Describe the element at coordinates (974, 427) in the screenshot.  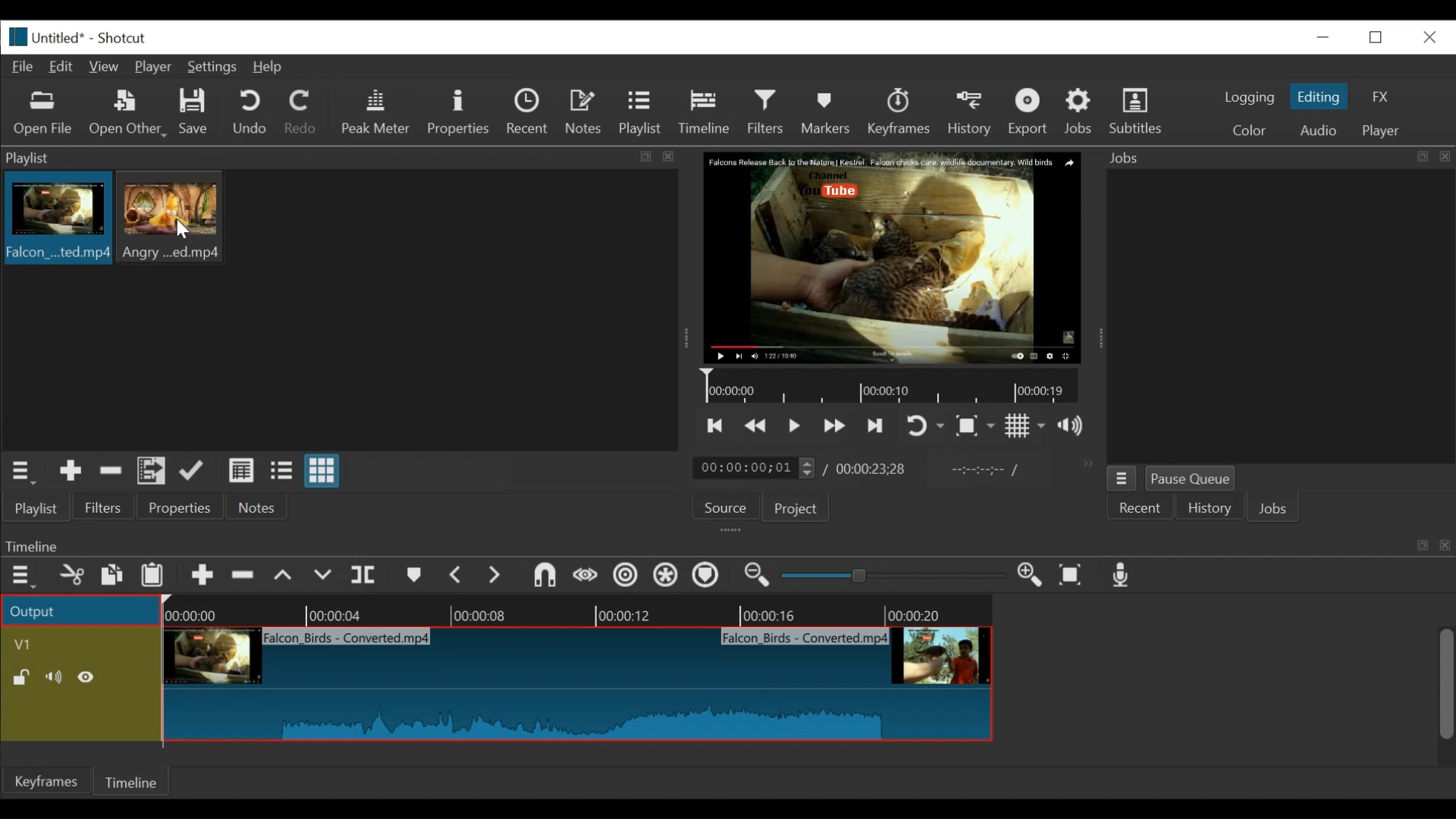
I see `Toggle zoom` at that location.